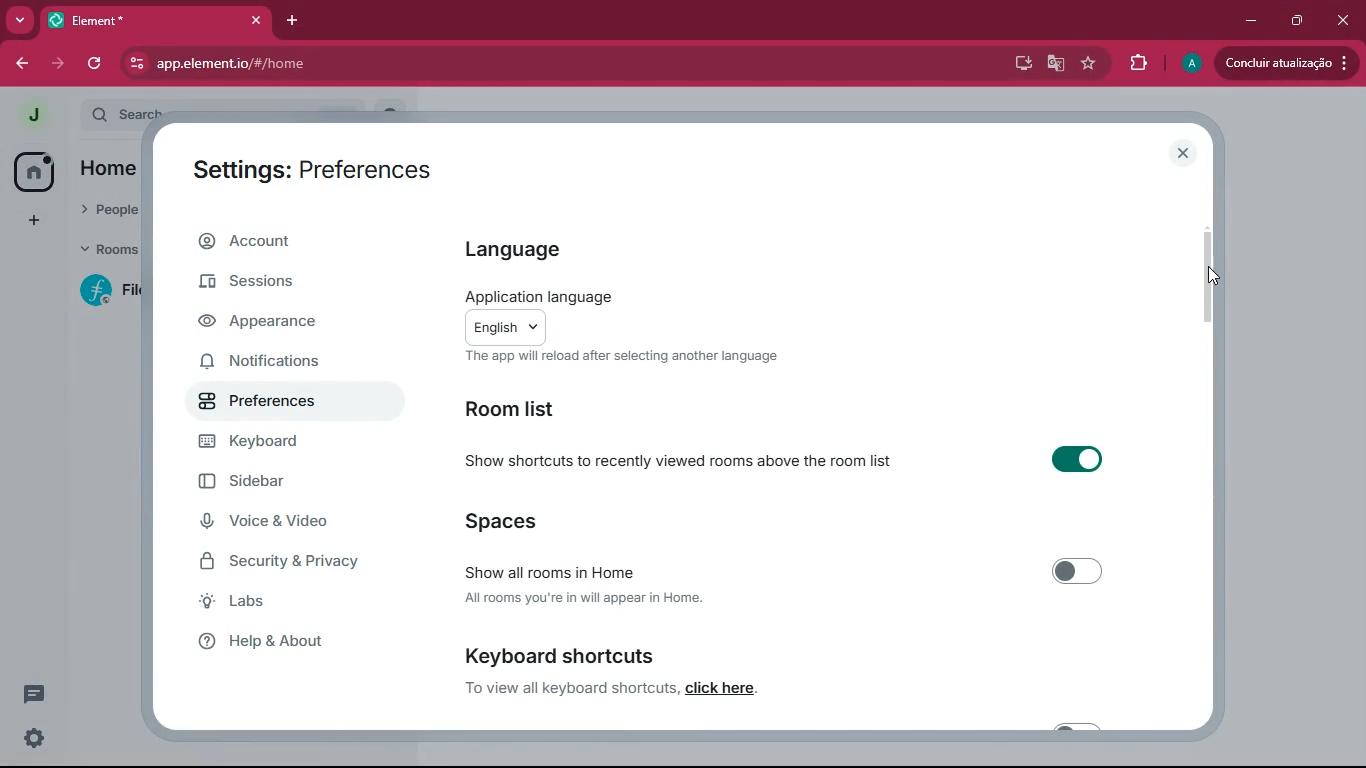 The width and height of the screenshot is (1366, 768). I want to click on google translate, so click(1054, 65).